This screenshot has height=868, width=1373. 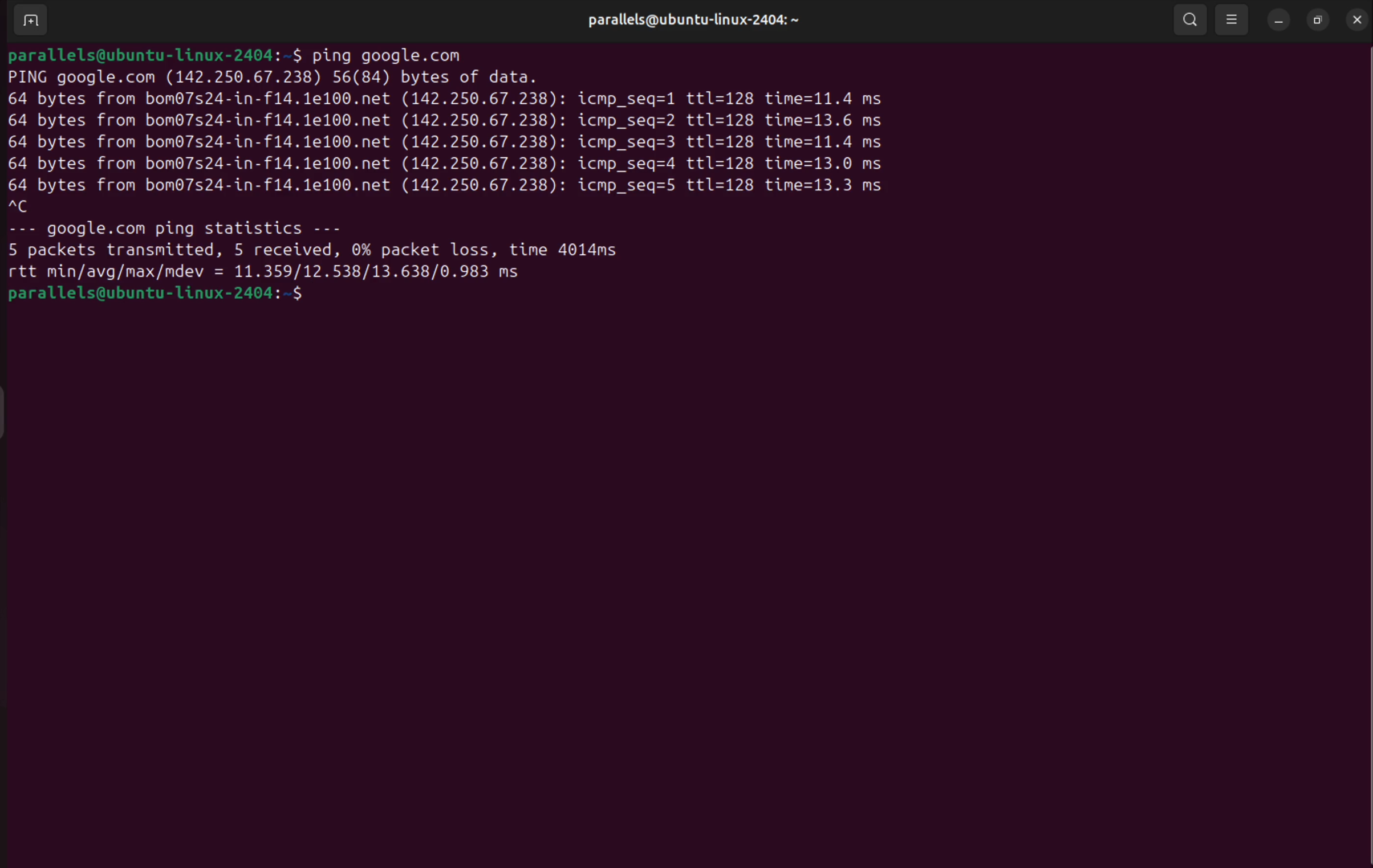 What do you see at coordinates (834, 186) in the screenshot?
I see `time 1.4 ms` at bounding box center [834, 186].